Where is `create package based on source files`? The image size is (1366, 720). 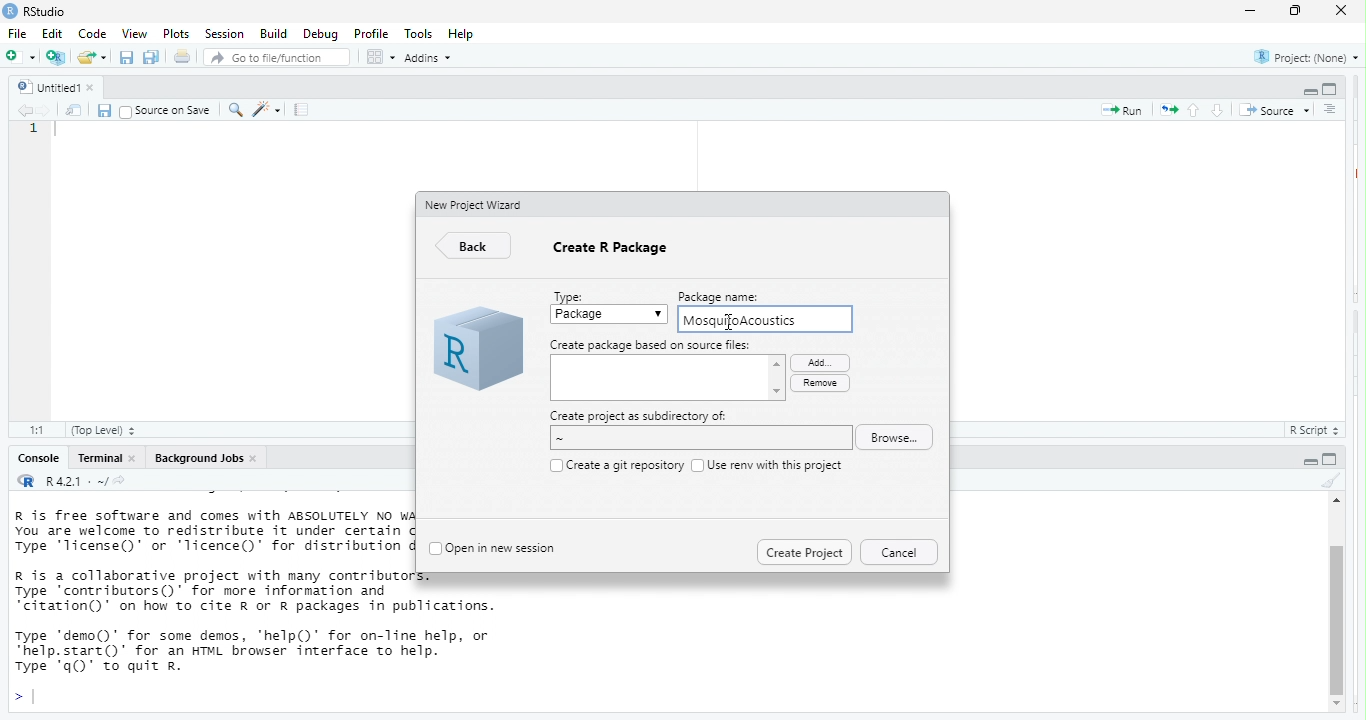
create package based on source files is located at coordinates (668, 380).